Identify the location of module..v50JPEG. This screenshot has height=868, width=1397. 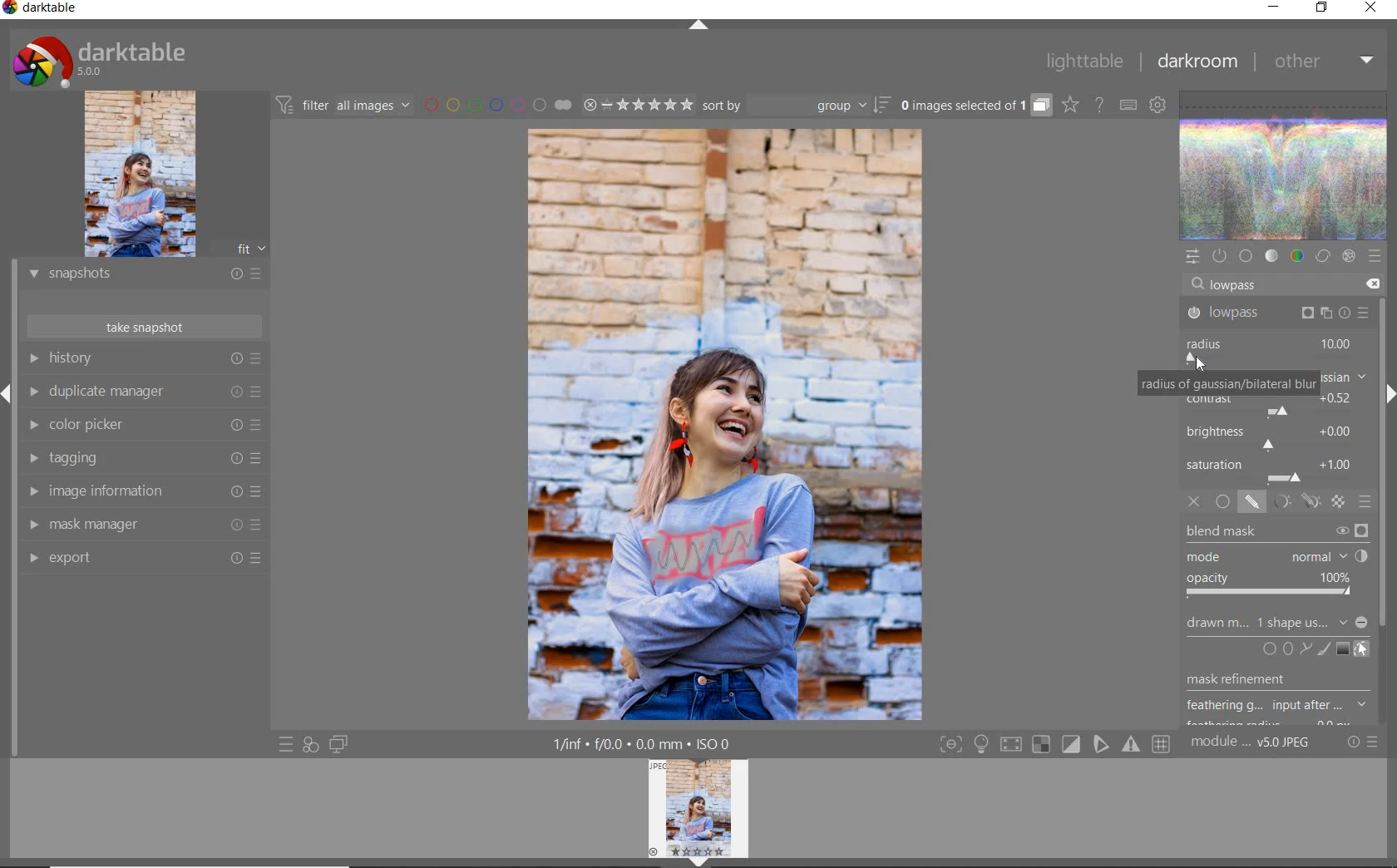
(1253, 743).